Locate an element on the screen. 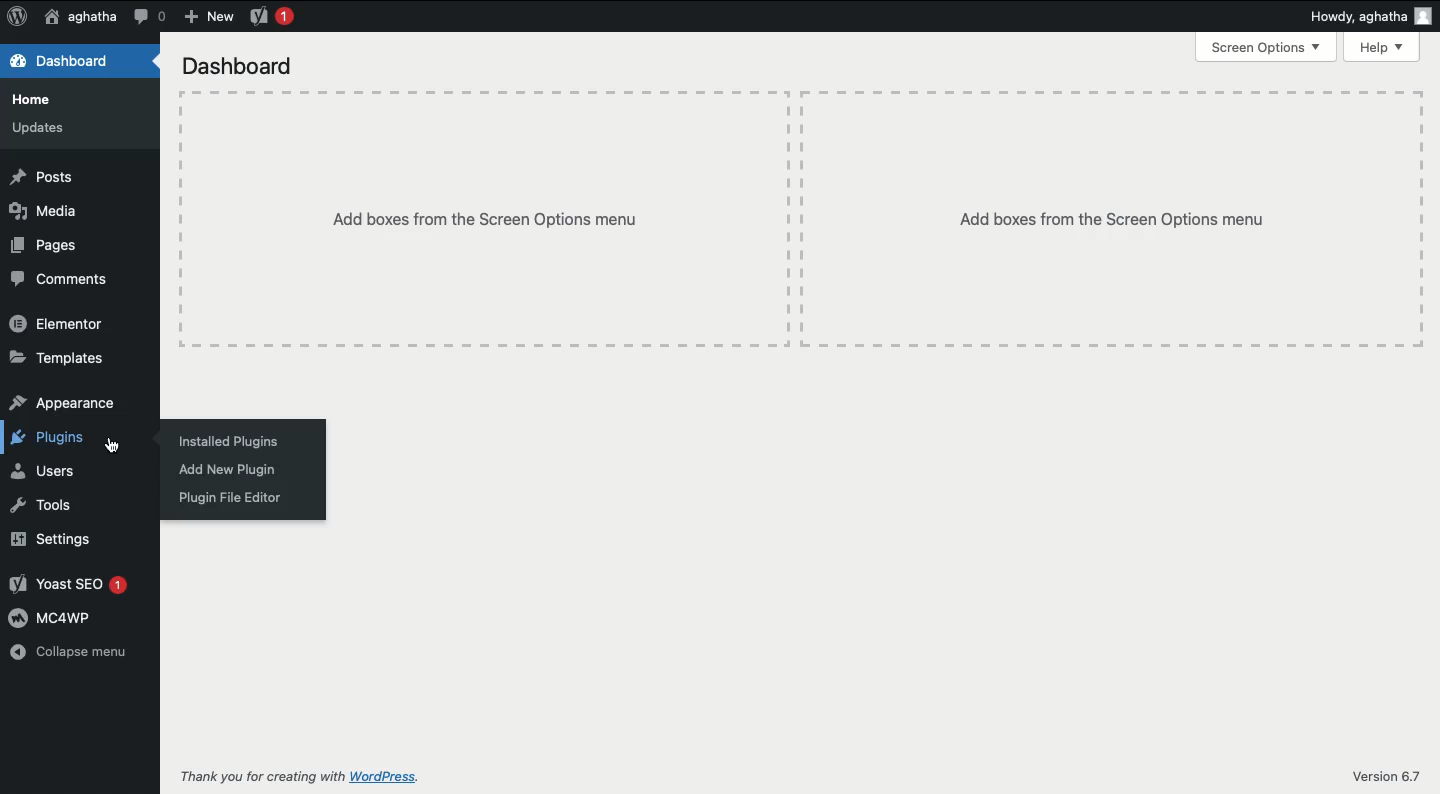  Howdy user is located at coordinates (1370, 16).